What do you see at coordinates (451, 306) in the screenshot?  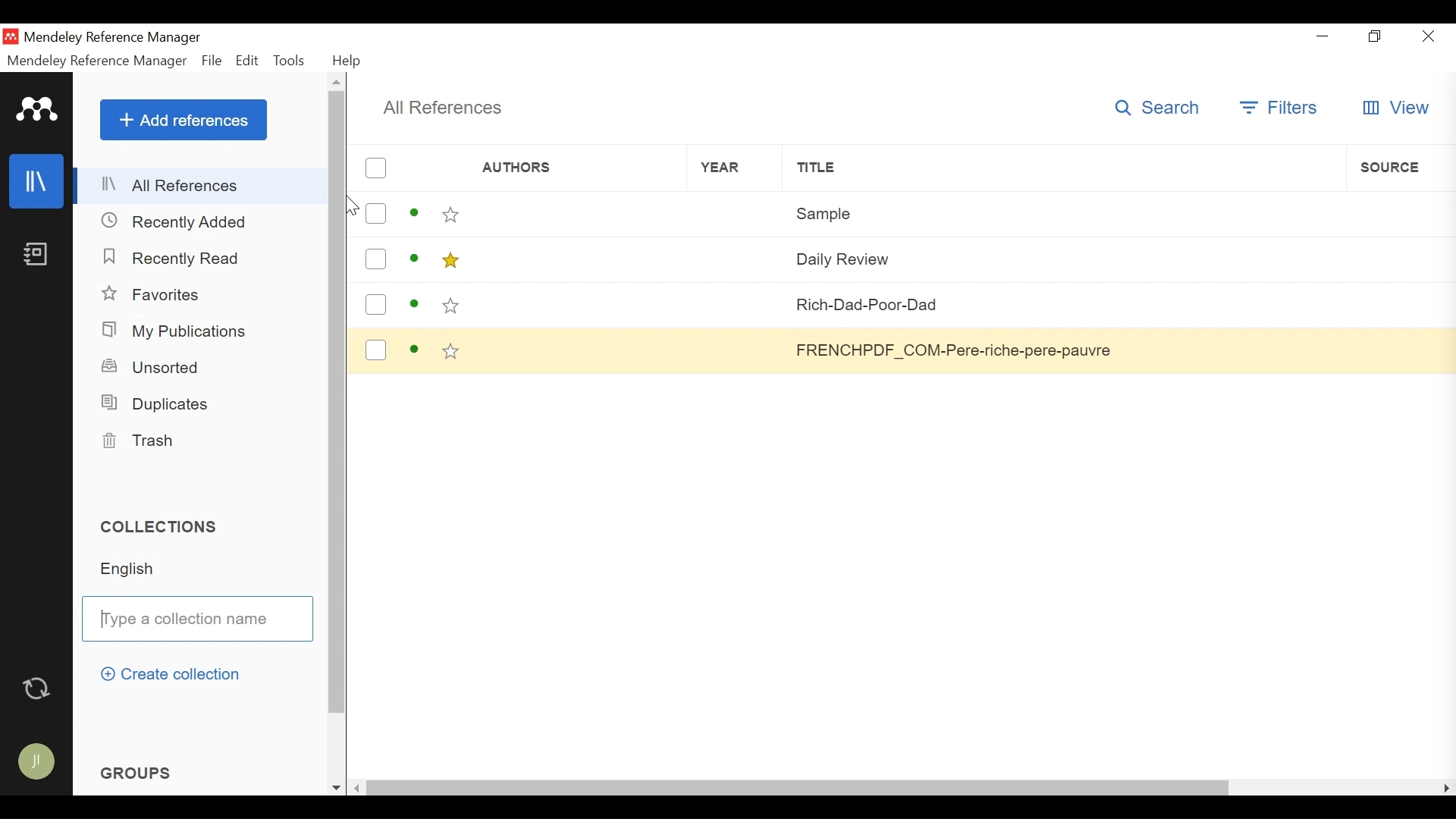 I see `Toggle favorites` at bounding box center [451, 306].